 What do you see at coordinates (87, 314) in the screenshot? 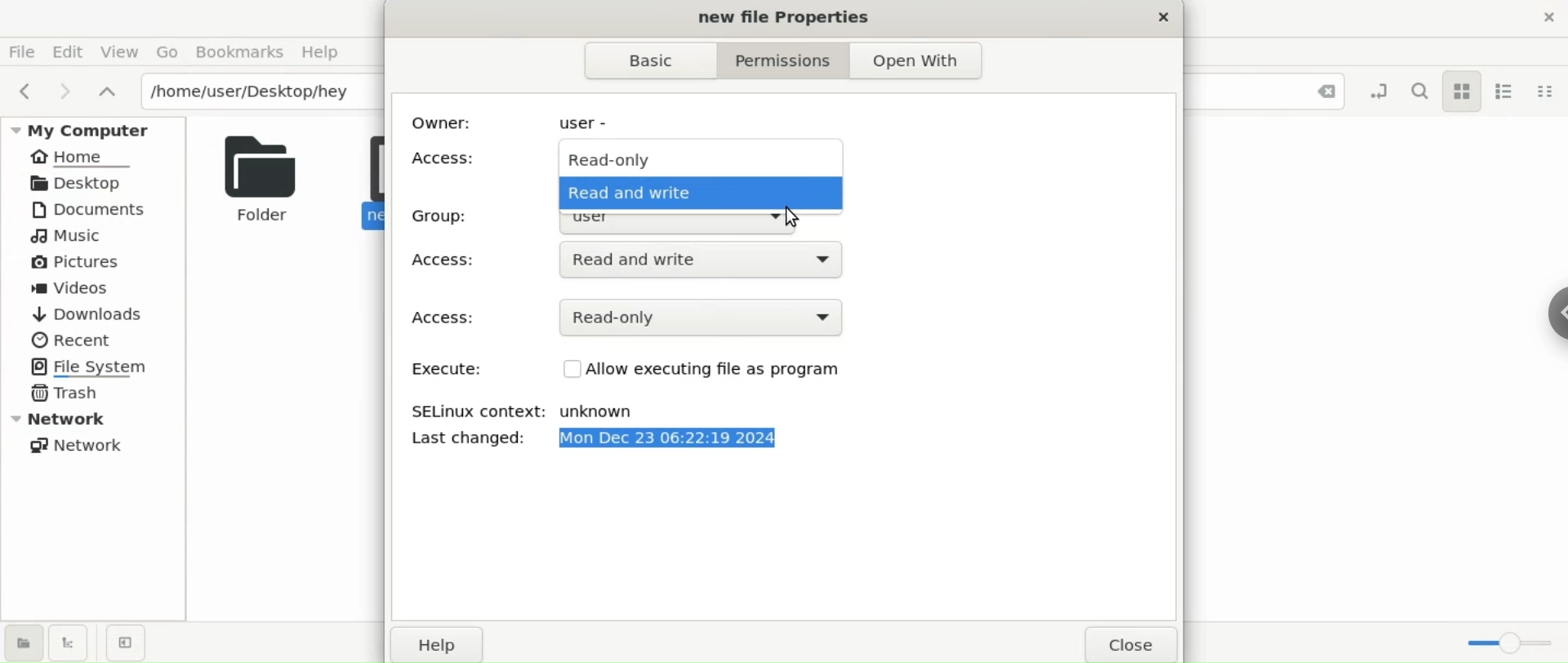
I see `Downloads` at bounding box center [87, 314].